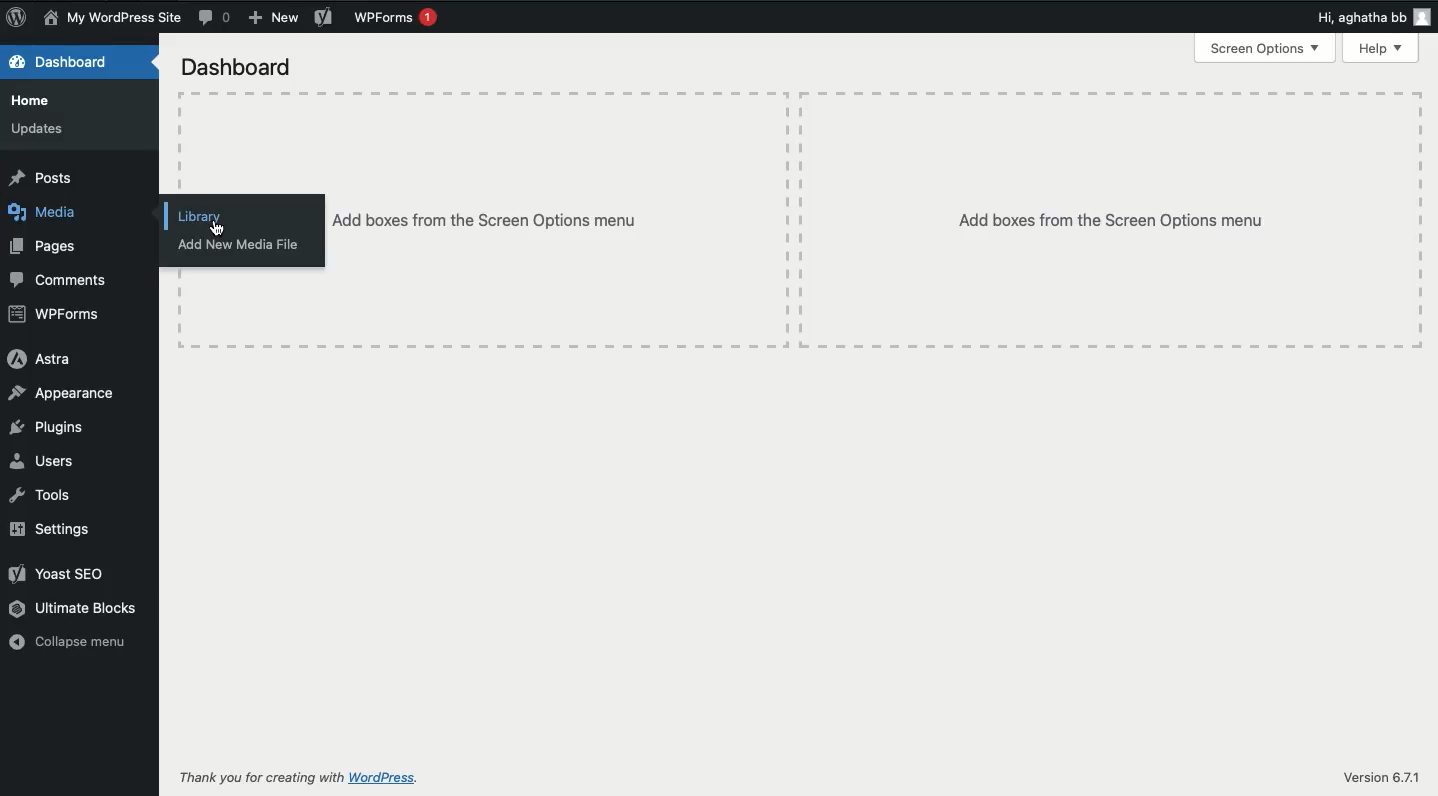  Describe the element at coordinates (55, 315) in the screenshot. I see `WPForms` at that location.